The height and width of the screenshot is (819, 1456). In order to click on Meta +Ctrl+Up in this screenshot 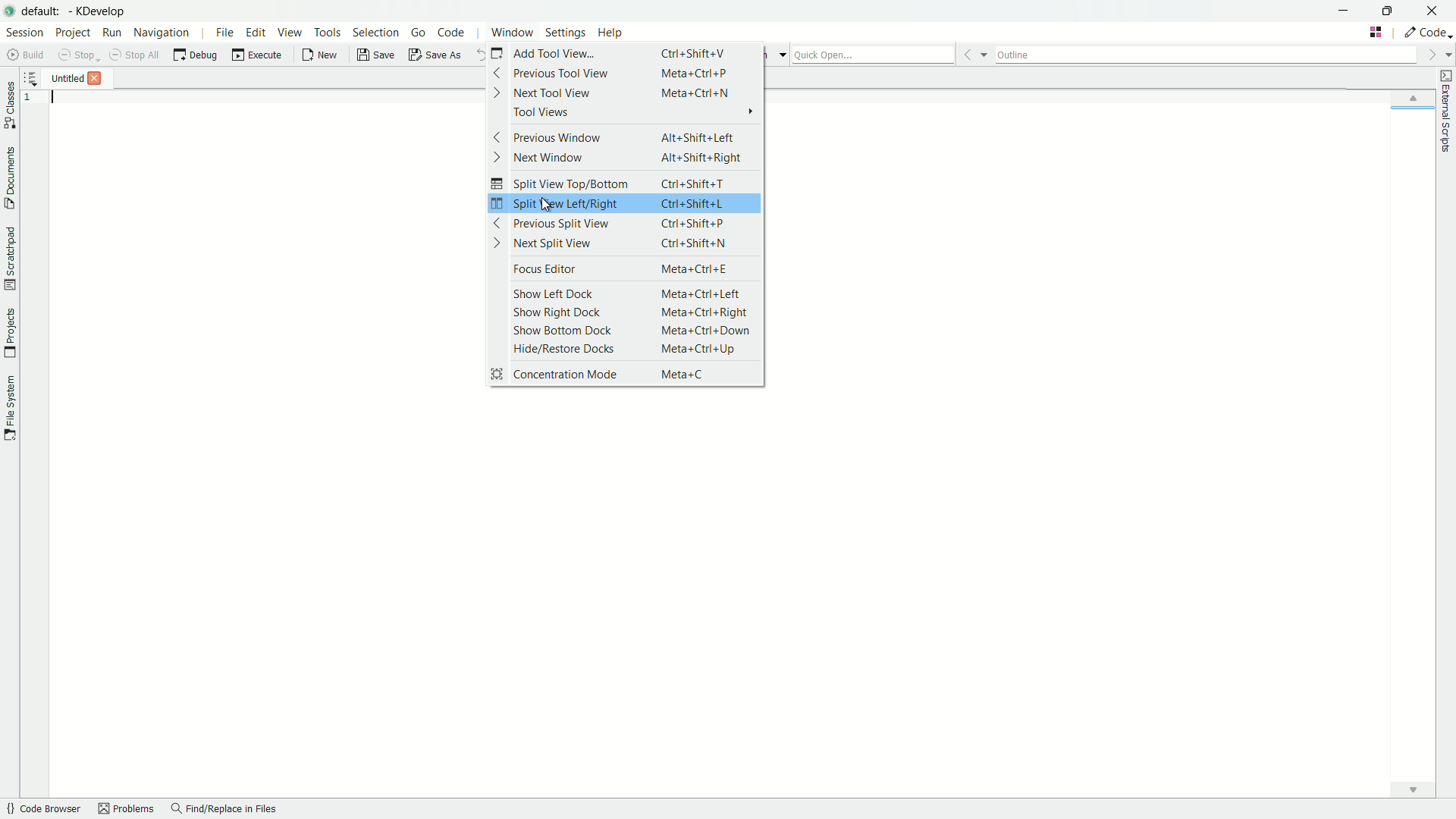, I will do `click(702, 348)`.